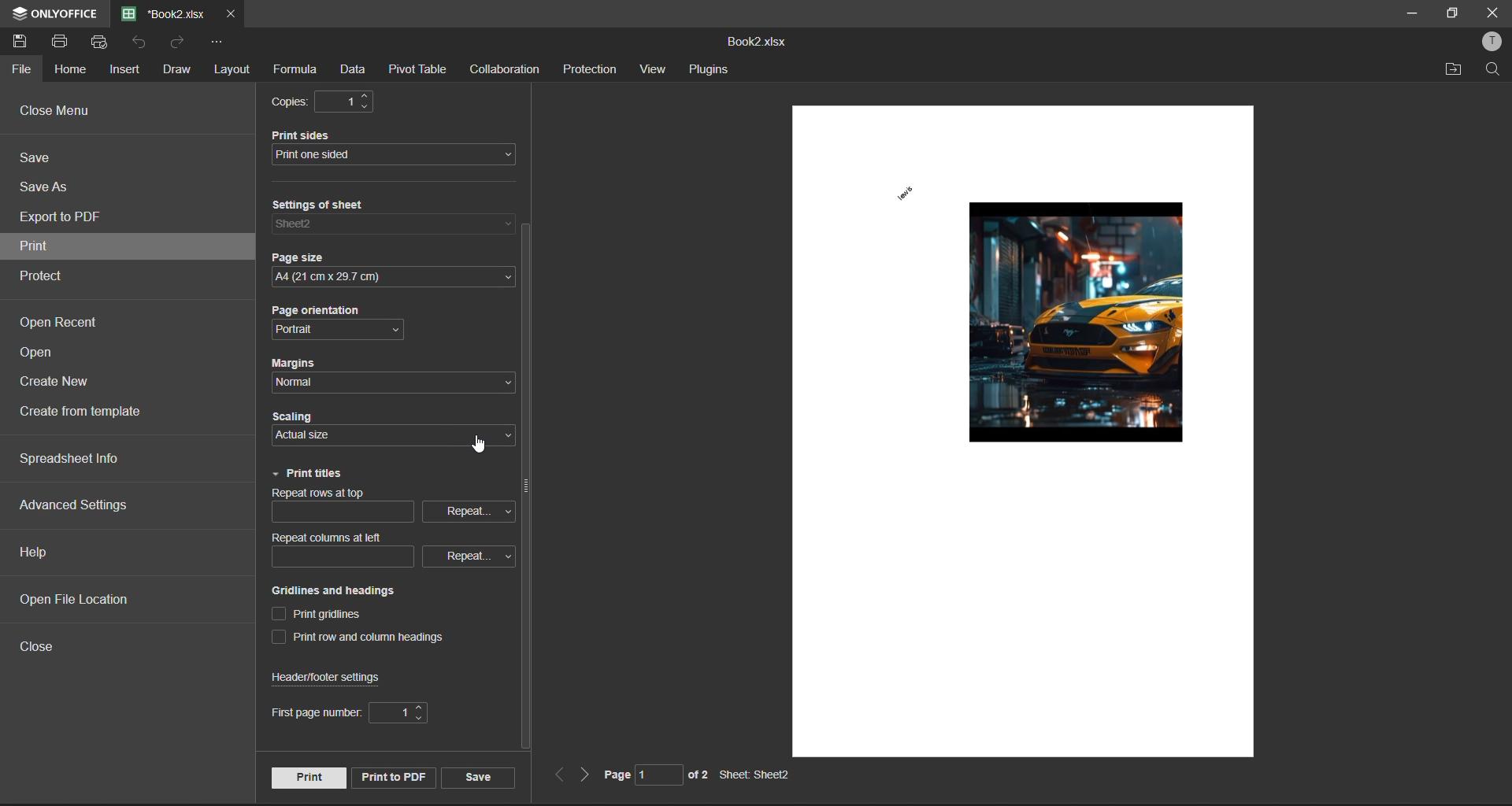 The width and height of the screenshot is (1512, 806). What do you see at coordinates (57, 248) in the screenshot?
I see `print` at bounding box center [57, 248].